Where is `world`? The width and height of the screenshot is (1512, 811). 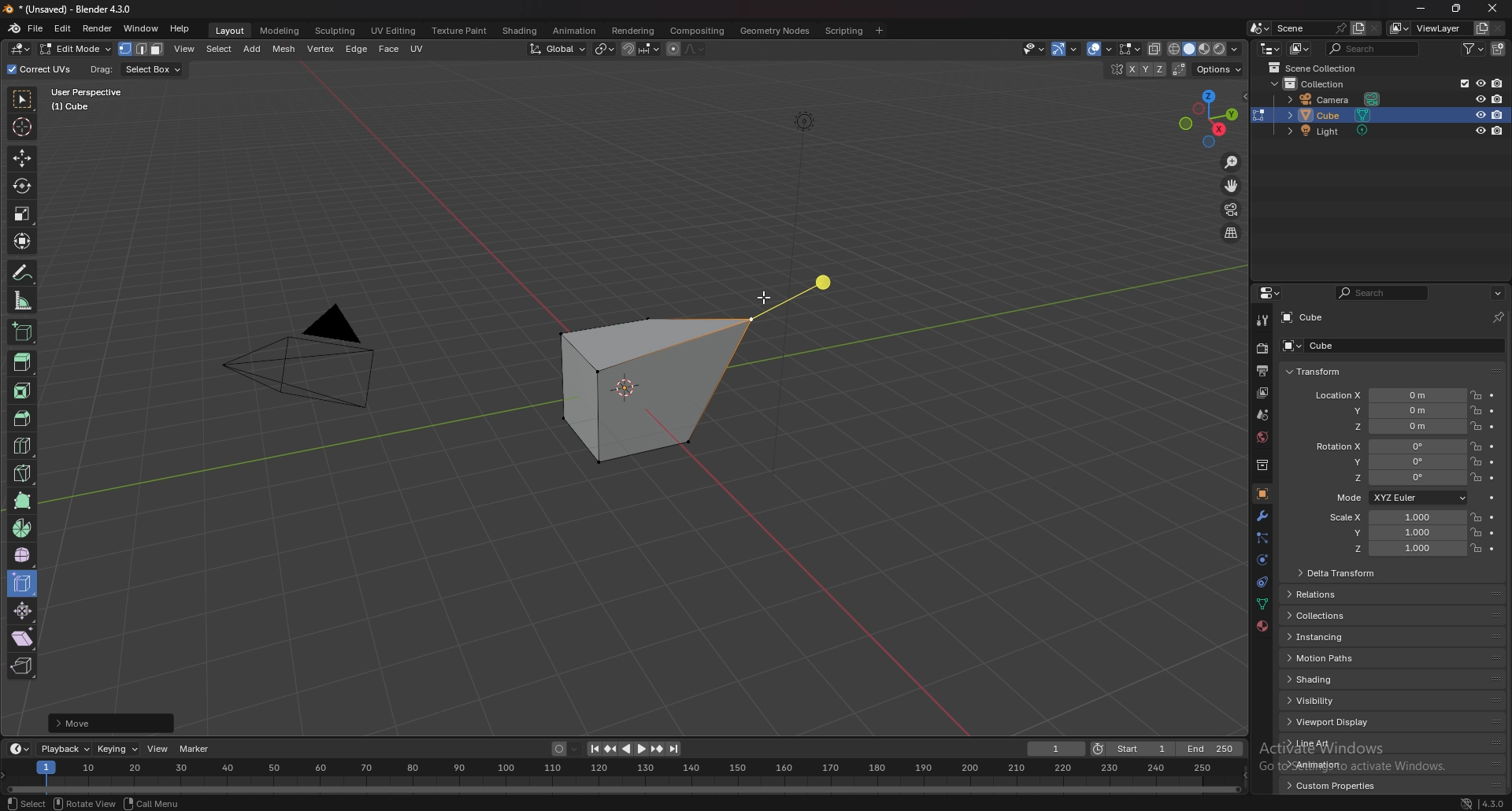
world is located at coordinates (1262, 436).